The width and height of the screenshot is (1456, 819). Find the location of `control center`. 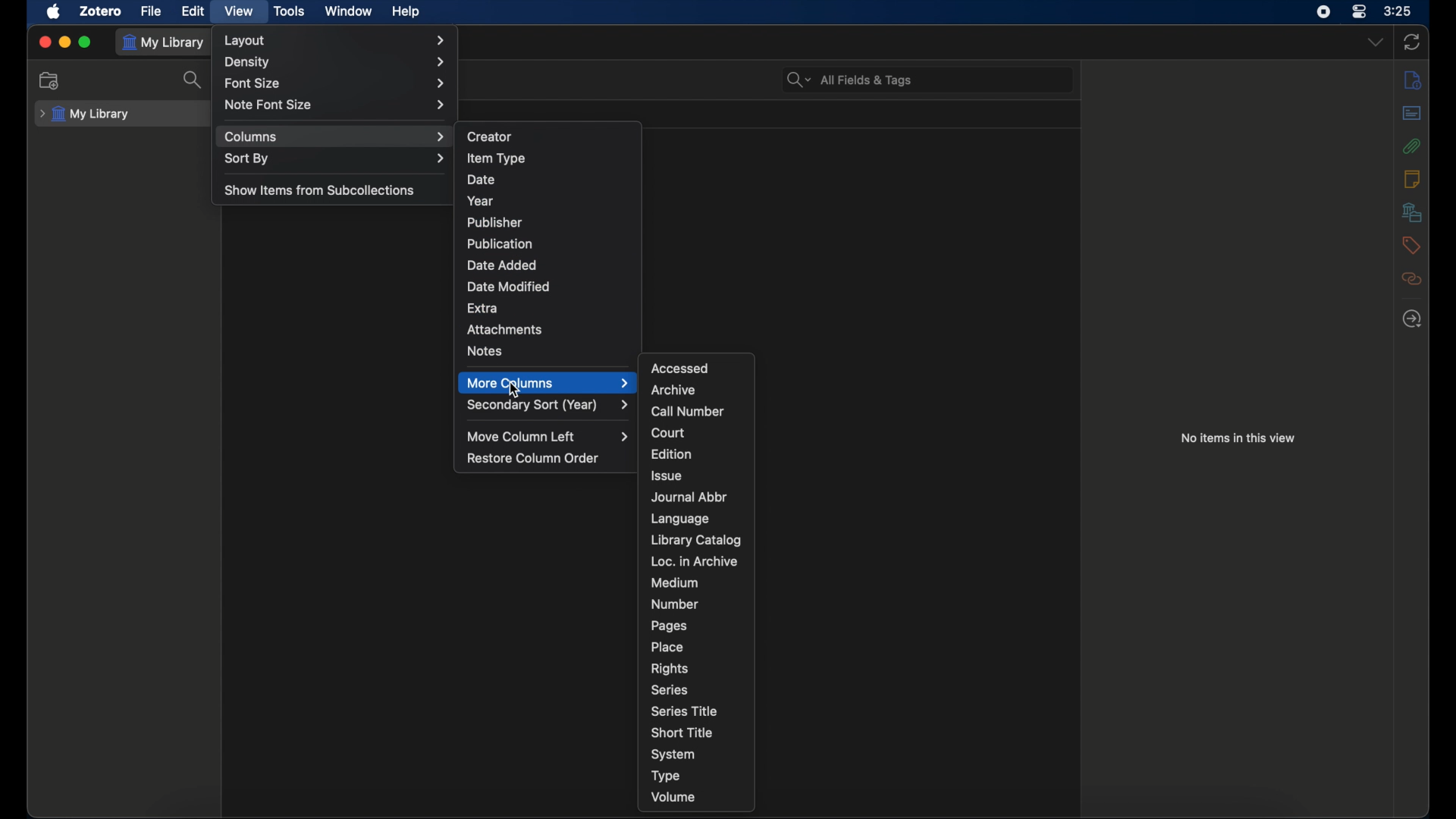

control center is located at coordinates (1360, 12).